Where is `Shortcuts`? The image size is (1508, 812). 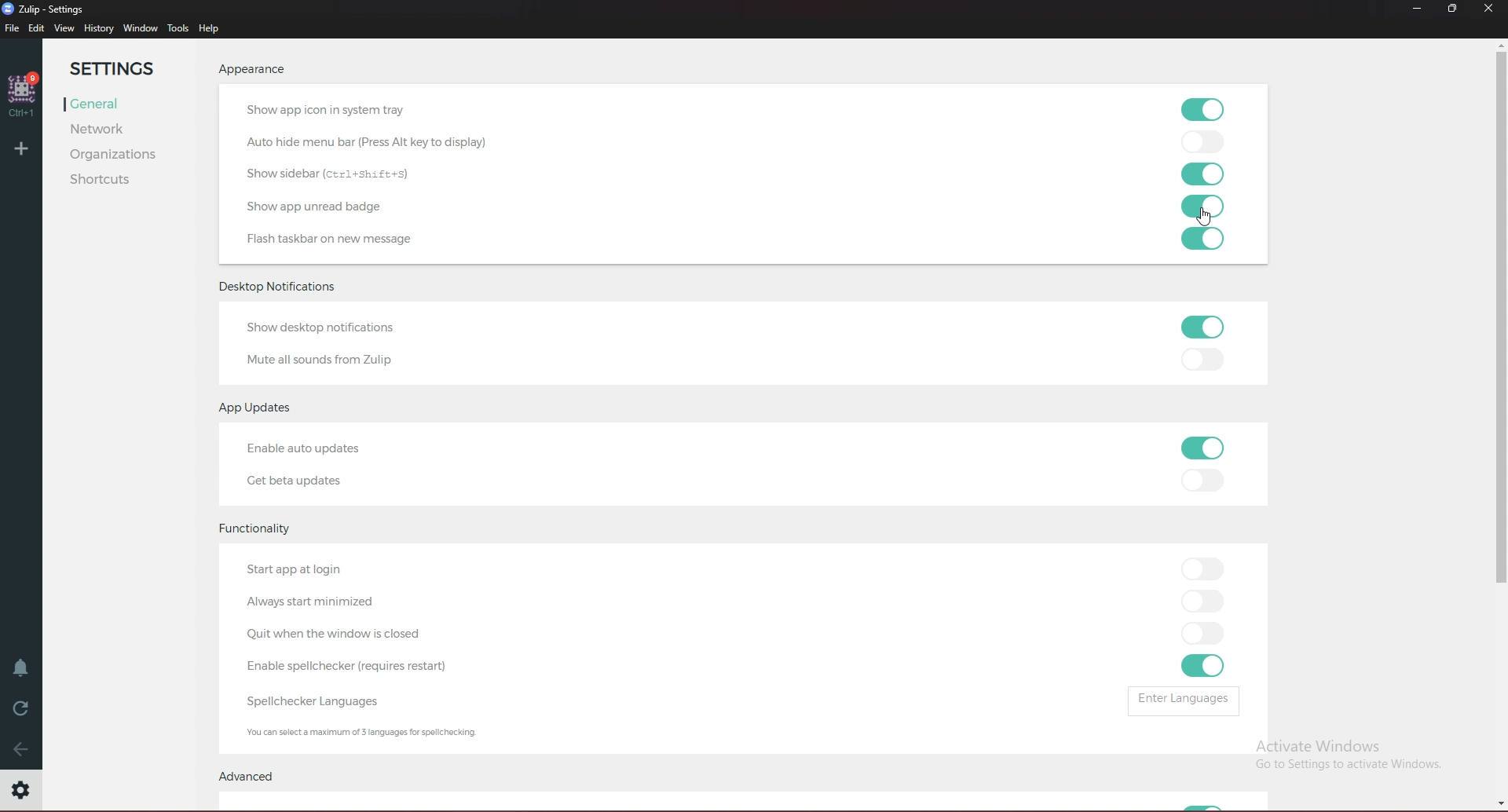 Shortcuts is located at coordinates (119, 179).